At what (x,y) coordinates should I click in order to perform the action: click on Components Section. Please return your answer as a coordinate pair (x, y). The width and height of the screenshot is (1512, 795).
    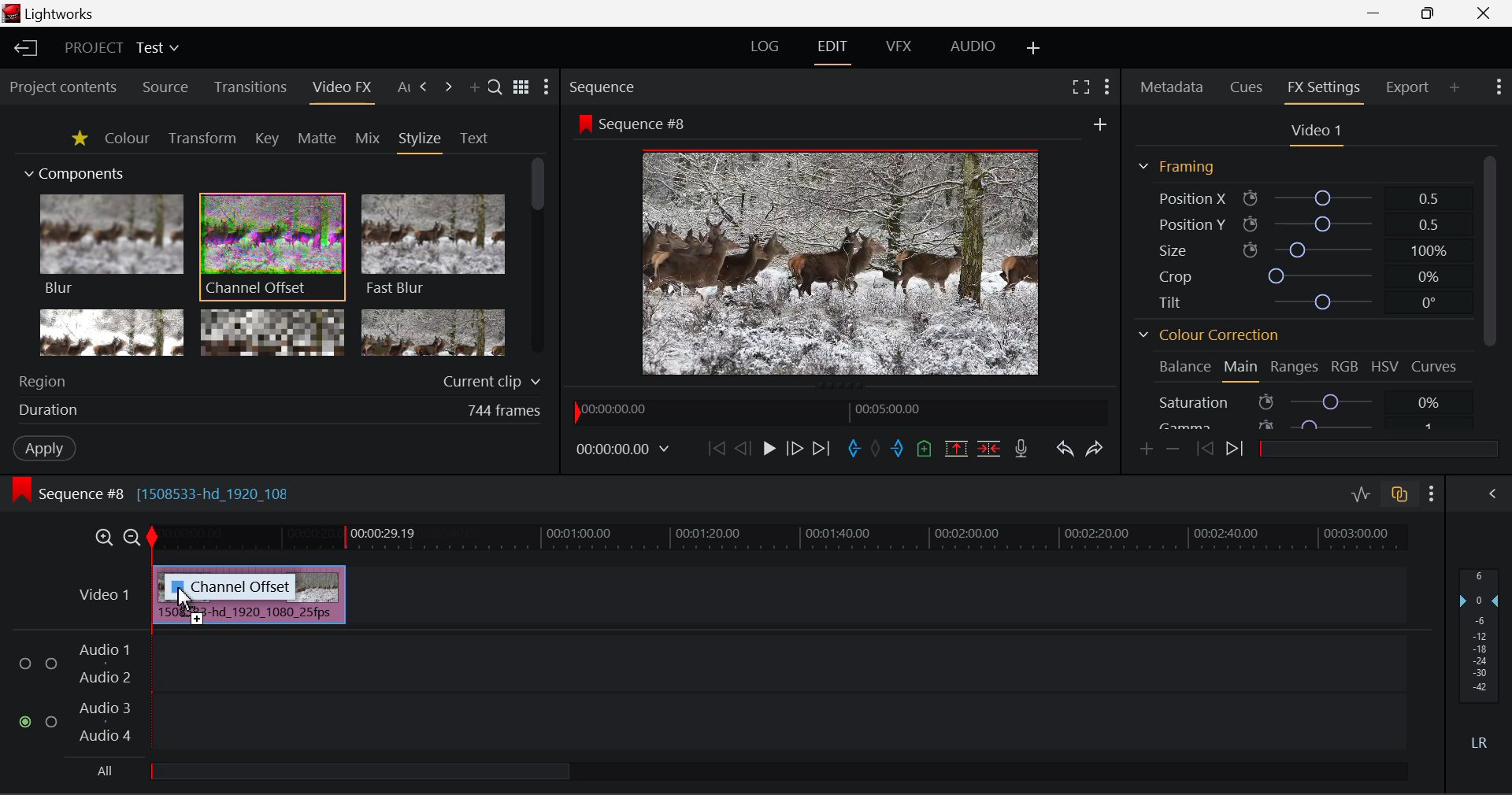
    Looking at the image, I should click on (72, 171).